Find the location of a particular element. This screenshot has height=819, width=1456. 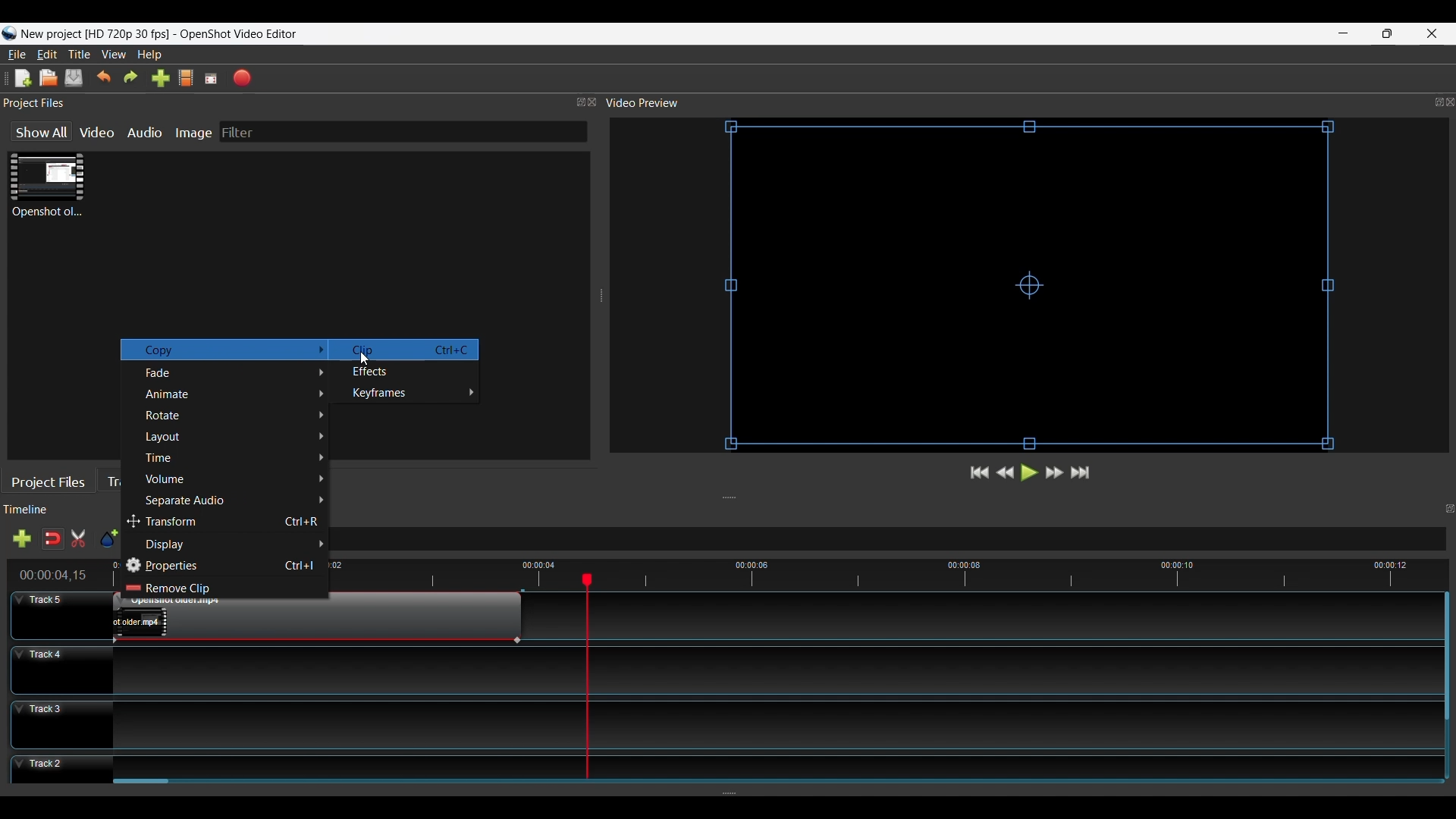

Fullscreen is located at coordinates (212, 78).